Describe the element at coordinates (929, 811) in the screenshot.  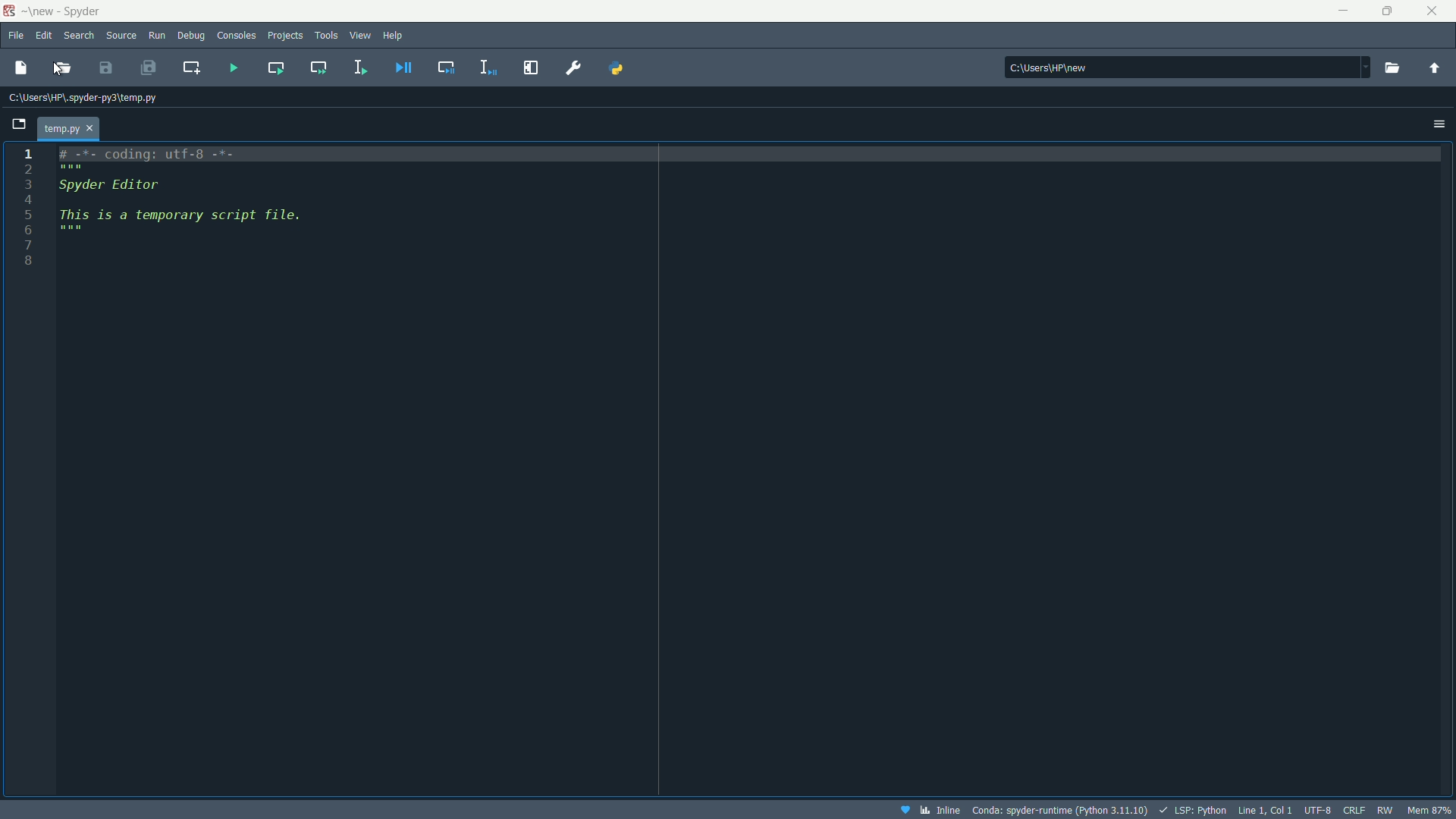
I see `inline` at that location.